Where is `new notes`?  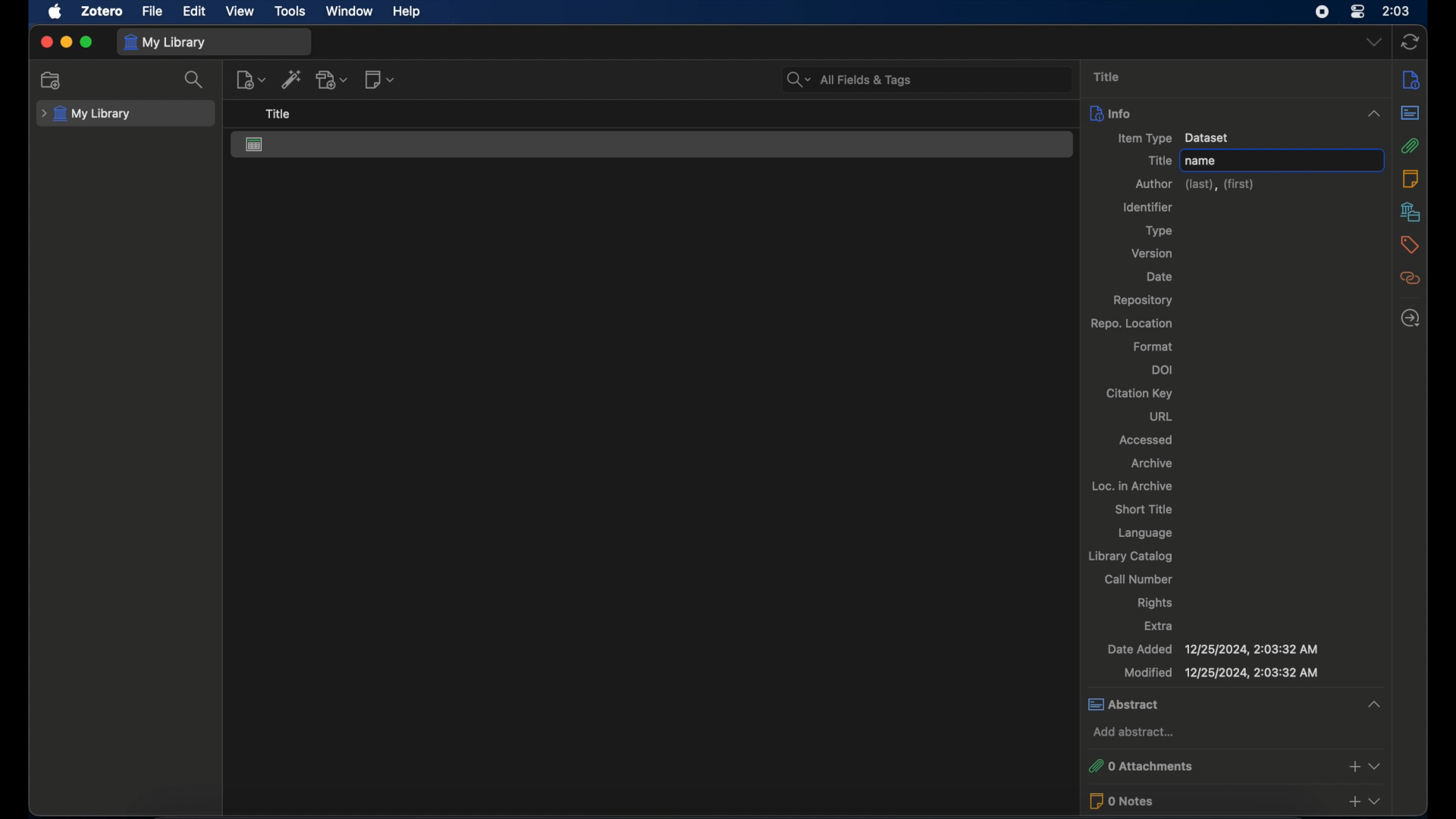 new notes is located at coordinates (381, 80).